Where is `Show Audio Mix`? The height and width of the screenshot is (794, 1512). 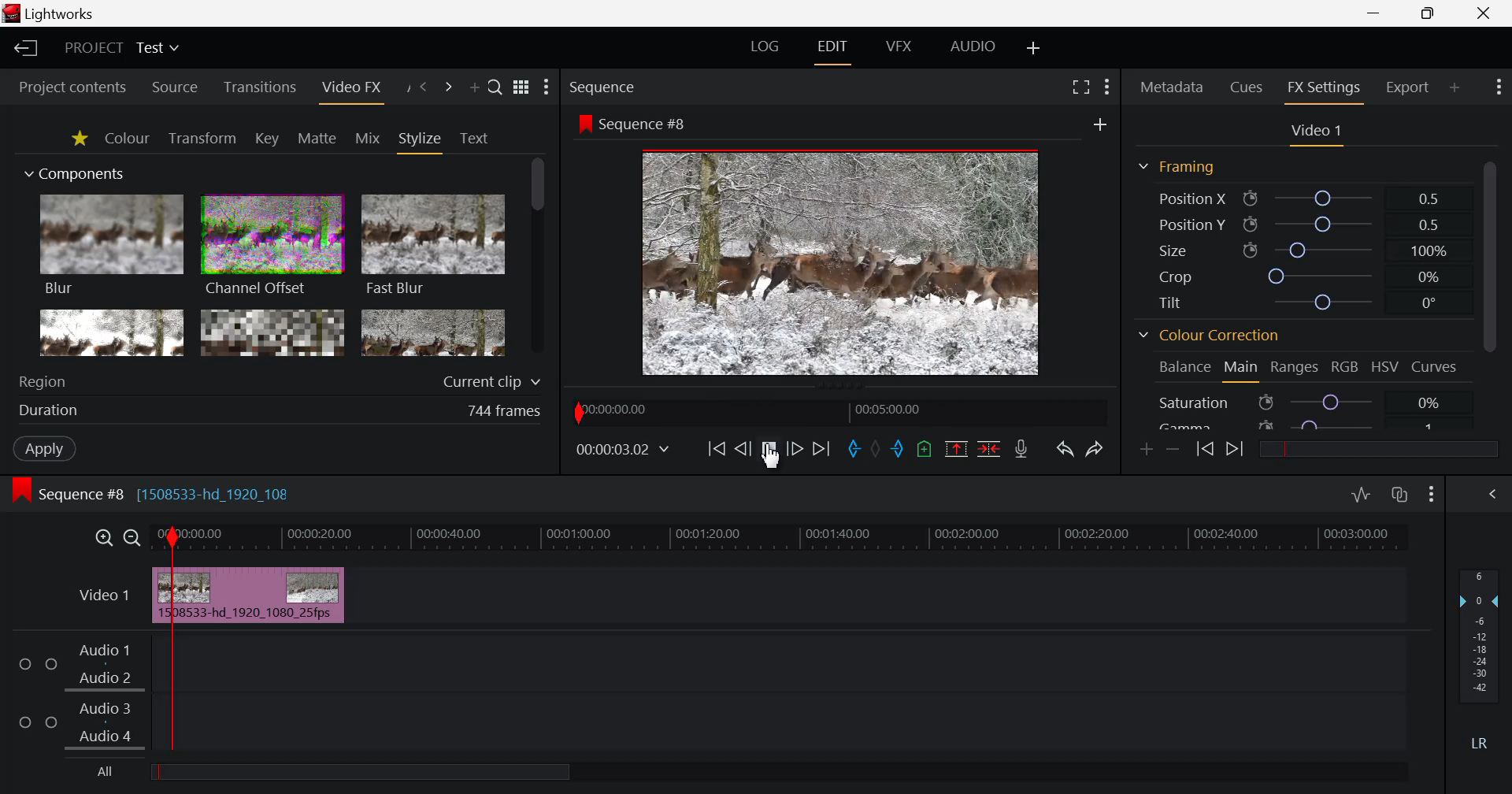 Show Audio Mix is located at coordinates (1494, 495).